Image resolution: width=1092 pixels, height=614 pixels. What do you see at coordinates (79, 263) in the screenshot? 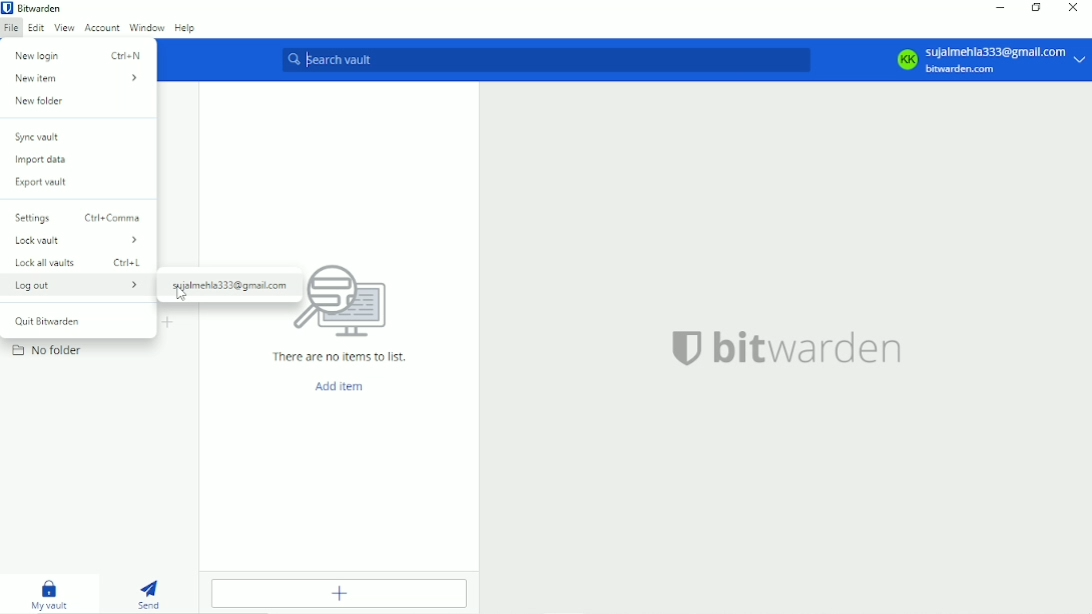
I see `Lock all vaults  Ctrl+L` at bounding box center [79, 263].